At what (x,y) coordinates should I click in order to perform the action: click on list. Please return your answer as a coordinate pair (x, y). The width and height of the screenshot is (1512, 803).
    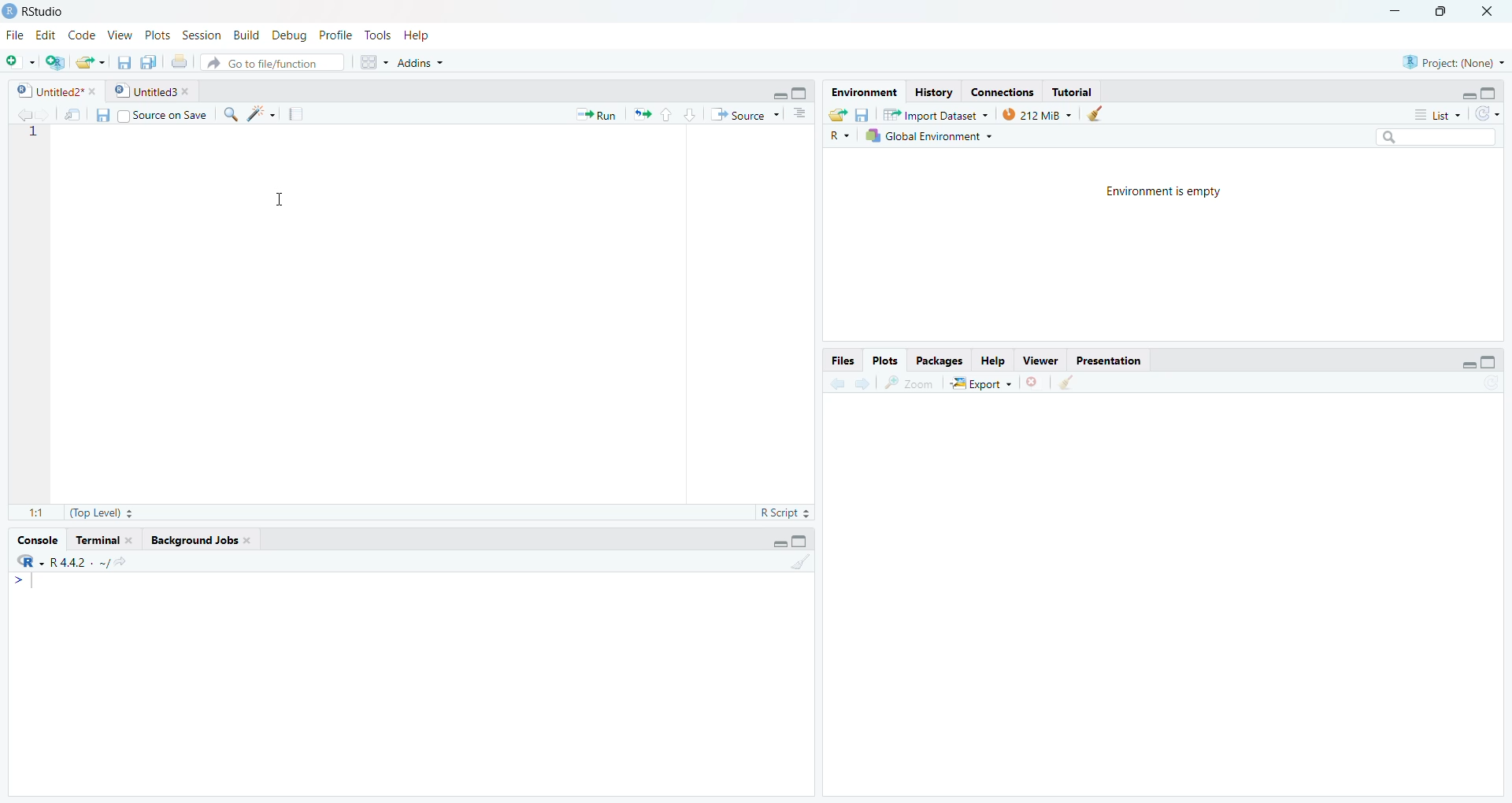
    Looking at the image, I should click on (1429, 115).